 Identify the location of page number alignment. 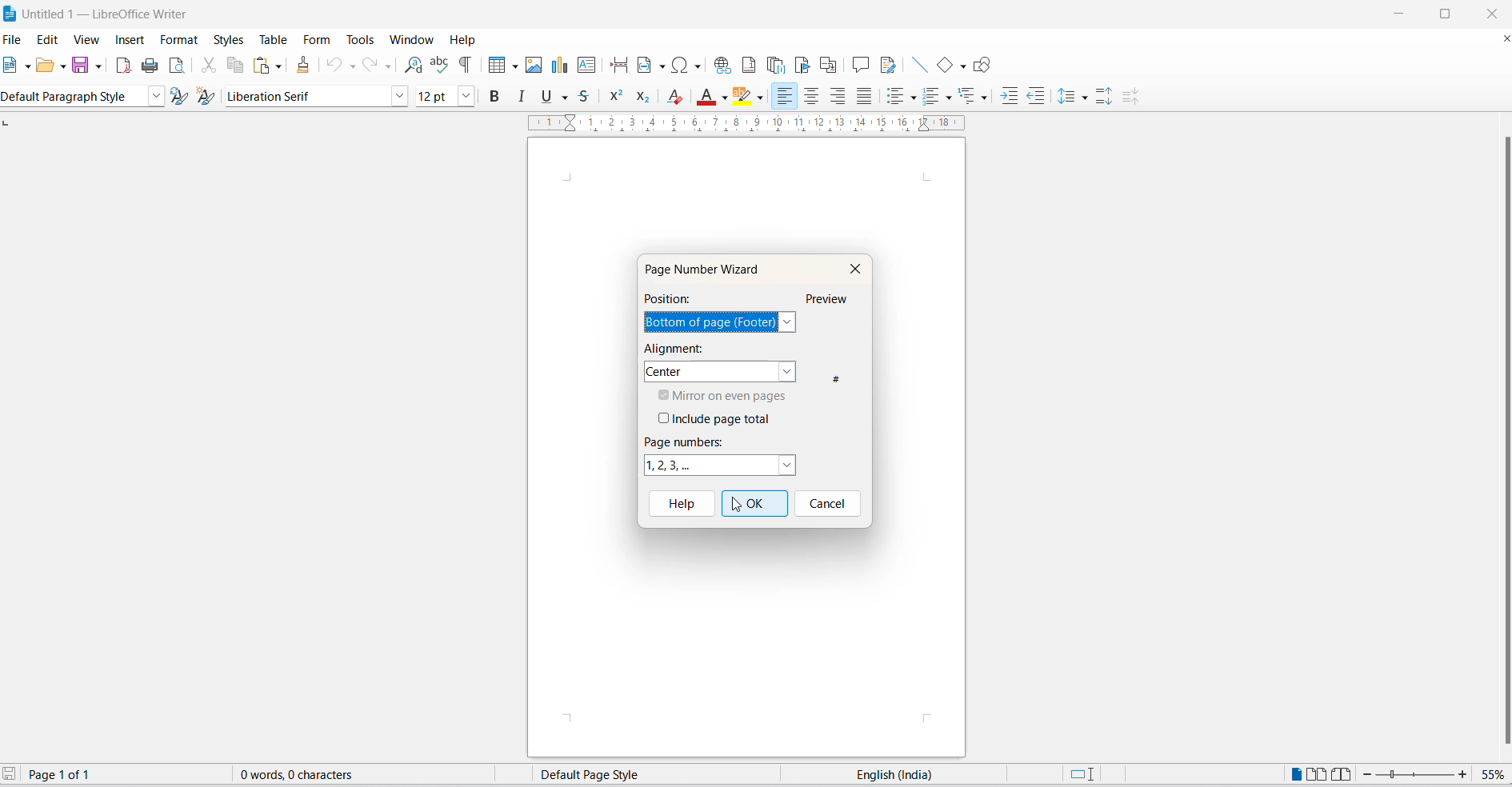
(721, 371).